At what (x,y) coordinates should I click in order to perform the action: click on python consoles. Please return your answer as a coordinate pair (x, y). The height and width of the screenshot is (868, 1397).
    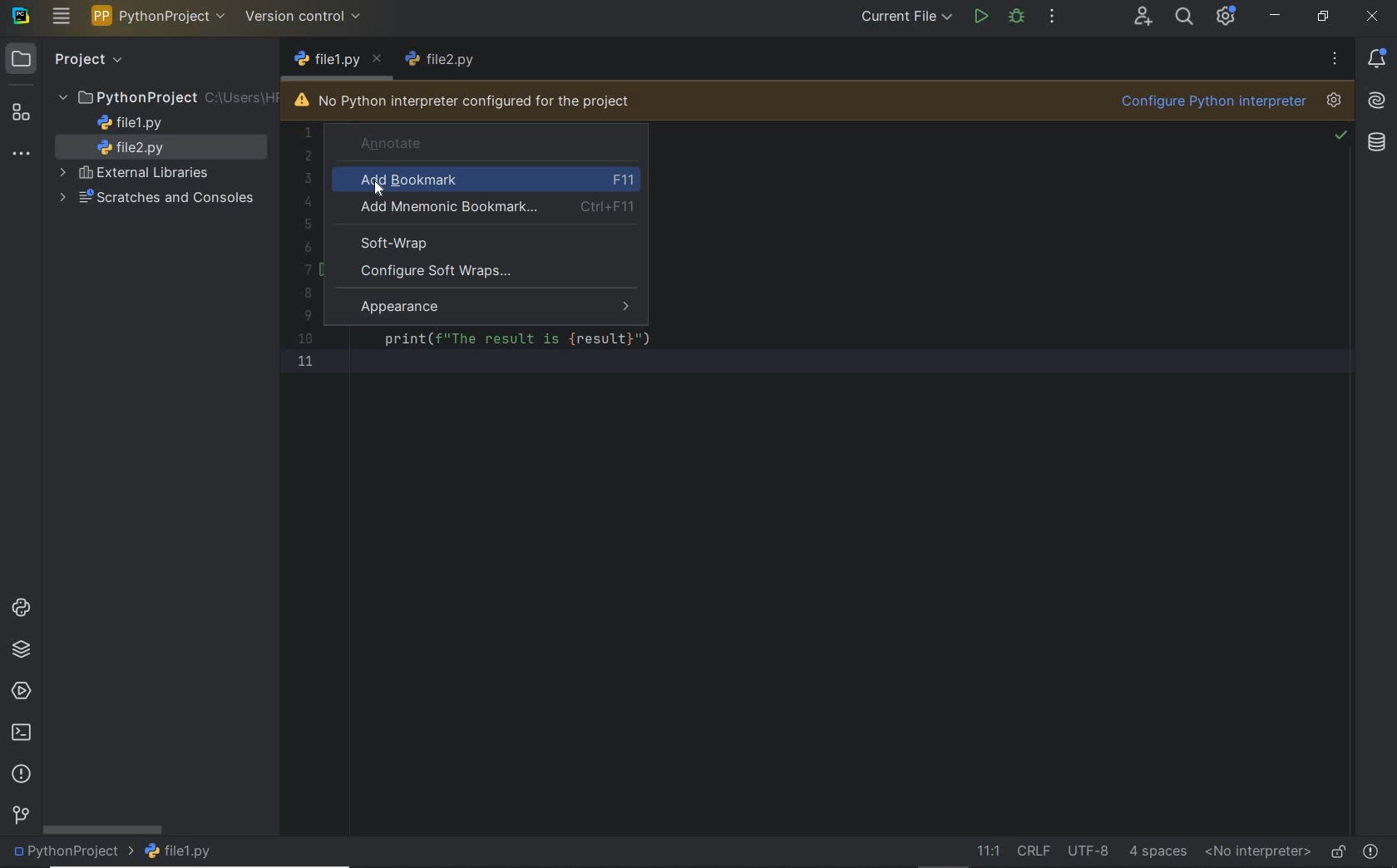
    Looking at the image, I should click on (20, 609).